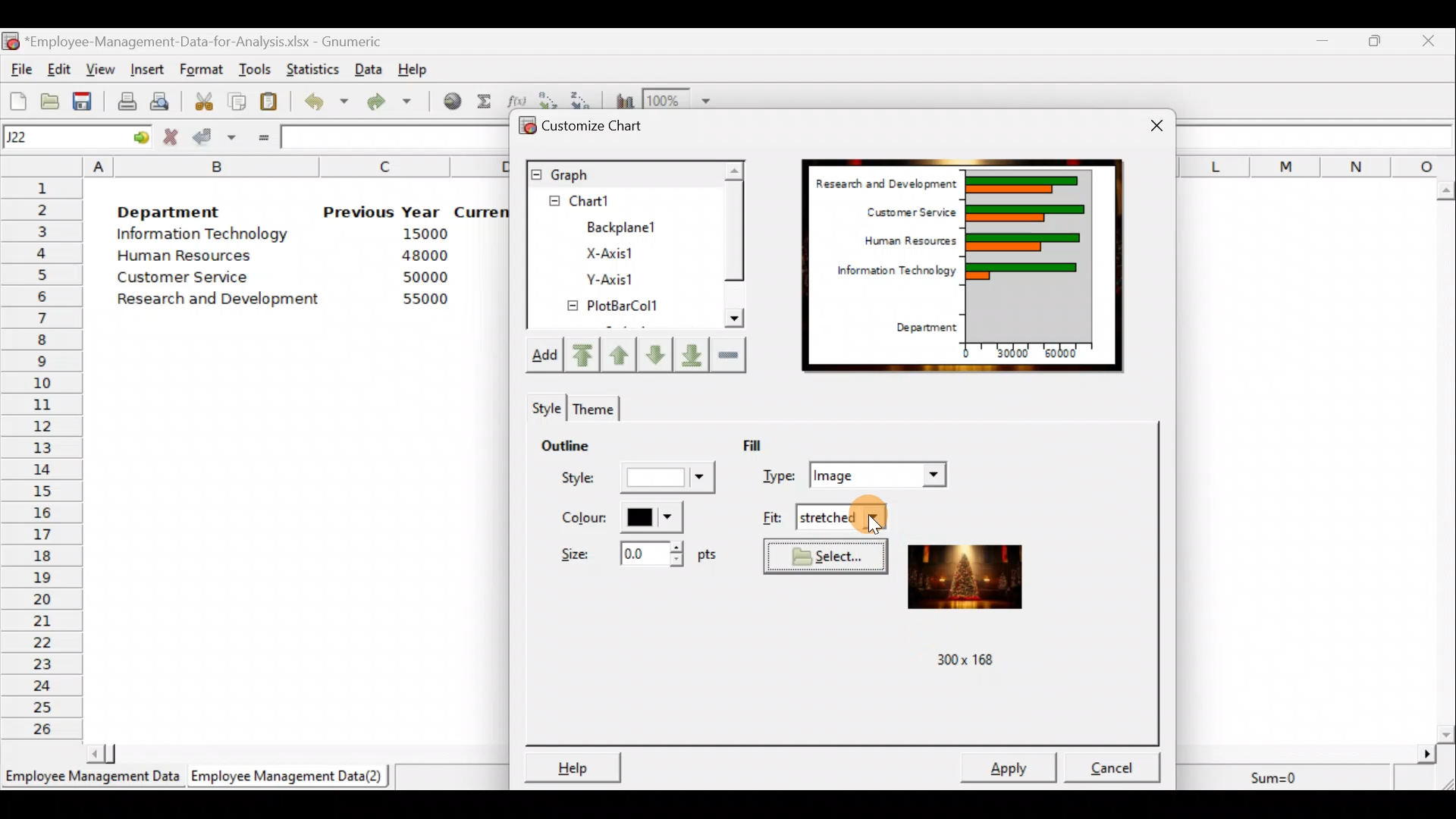 This screenshot has width=1456, height=819. What do you see at coordinates (928, 325) in the screenshot?
I see `Department` at bounding box center [928, 325].